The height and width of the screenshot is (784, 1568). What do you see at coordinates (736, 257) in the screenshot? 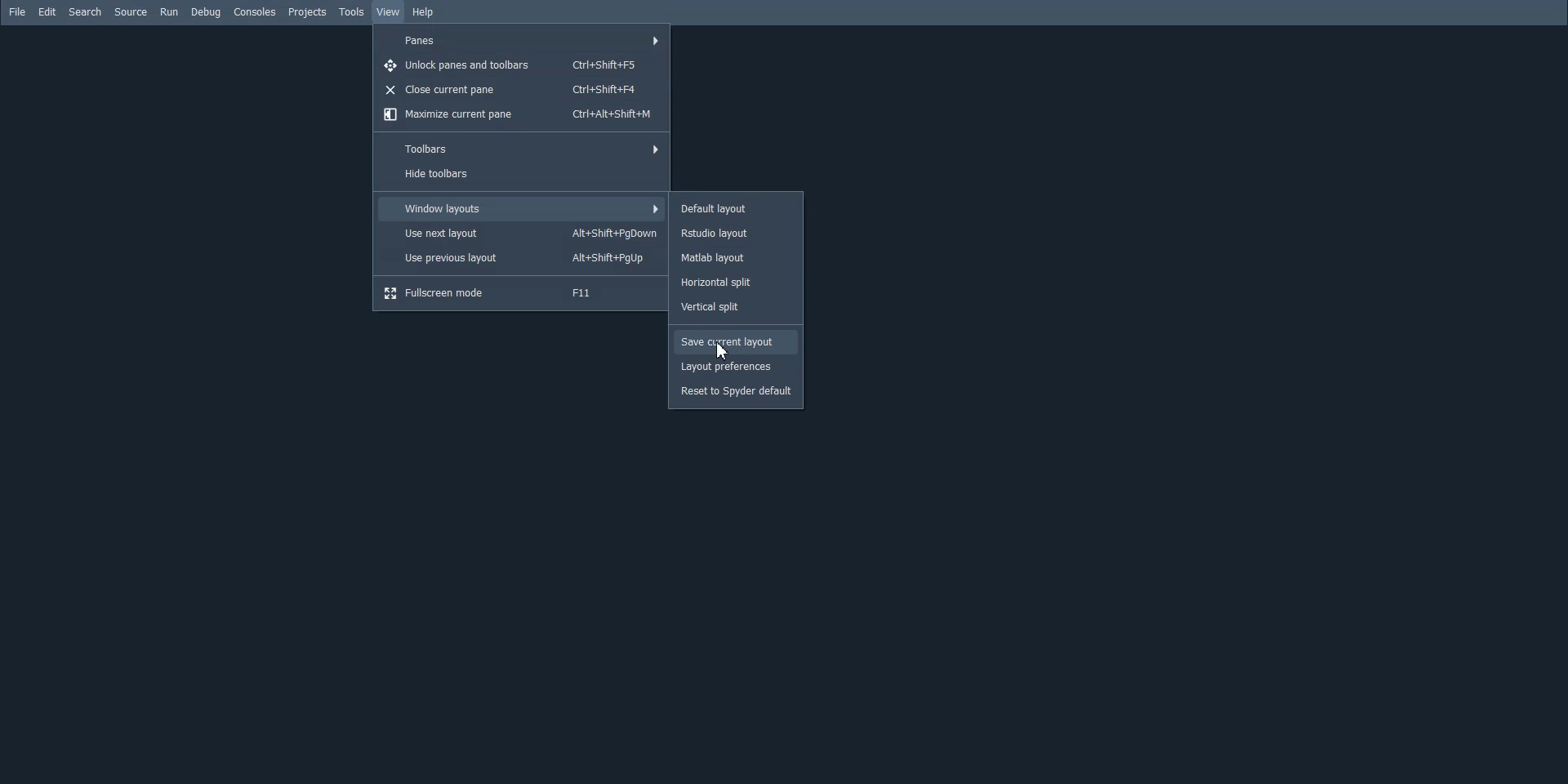
I see `Matlab layout` at bounding box center [736, 257].